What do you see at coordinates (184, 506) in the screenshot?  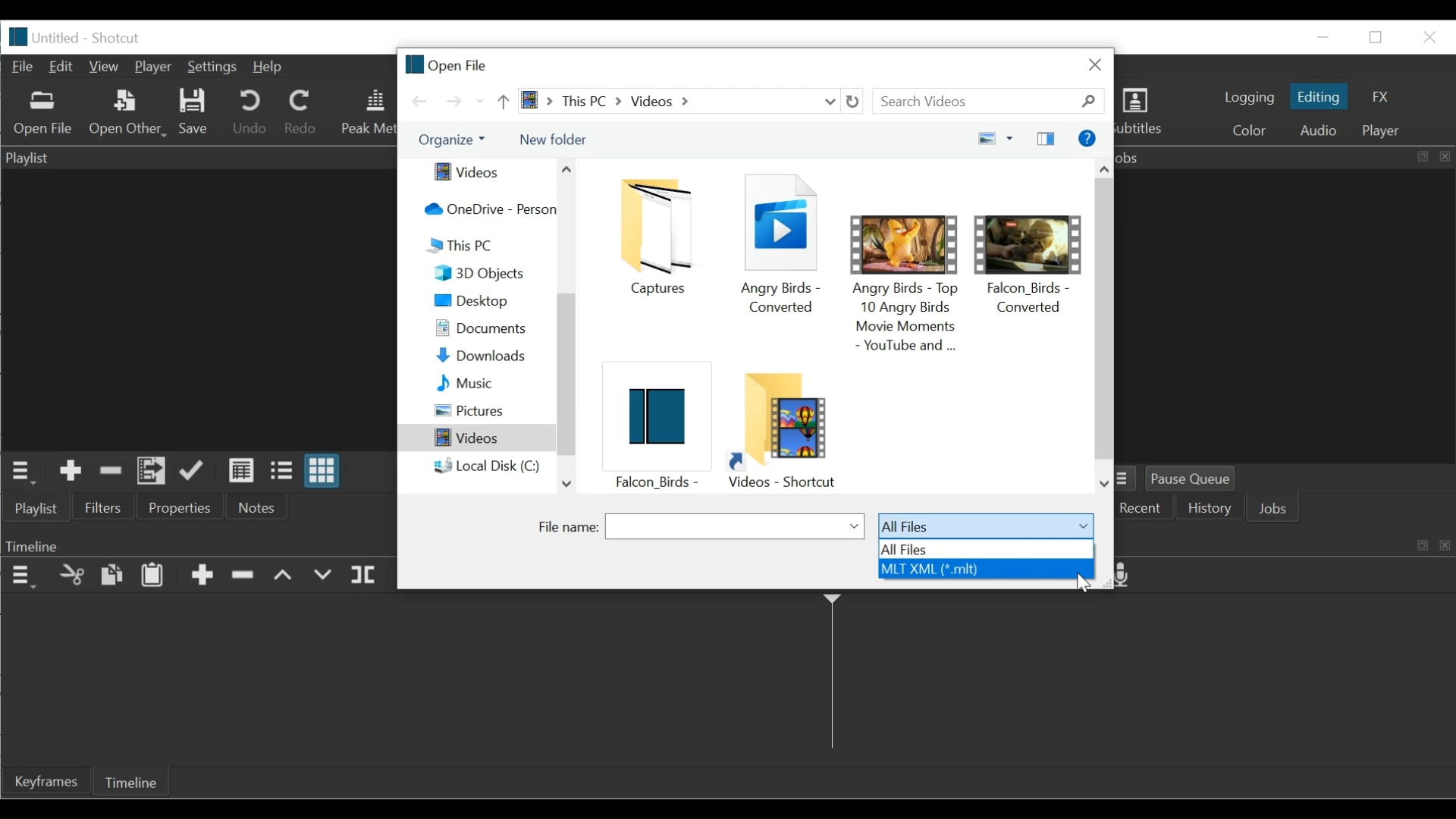 I see `Properties` at bounding box center [184, 506].